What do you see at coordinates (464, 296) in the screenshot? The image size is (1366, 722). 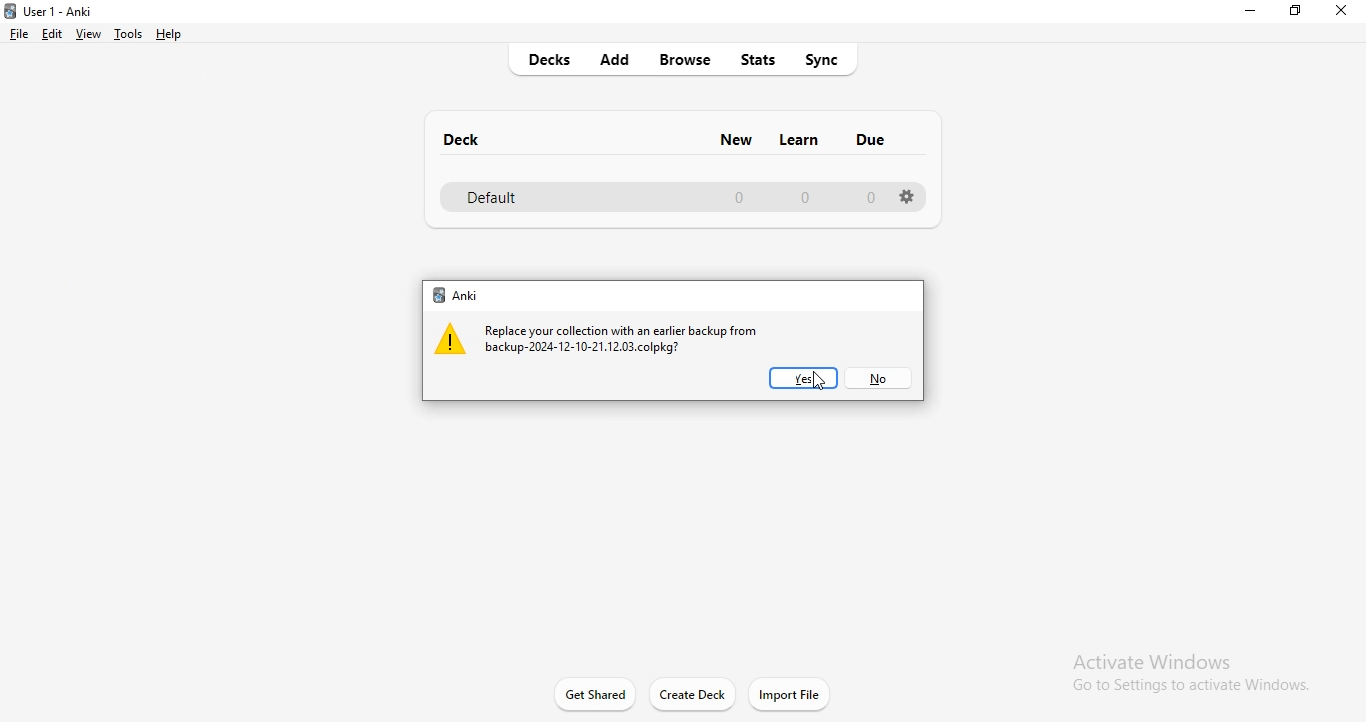 I see `anki` at bounding box center [464, 296].